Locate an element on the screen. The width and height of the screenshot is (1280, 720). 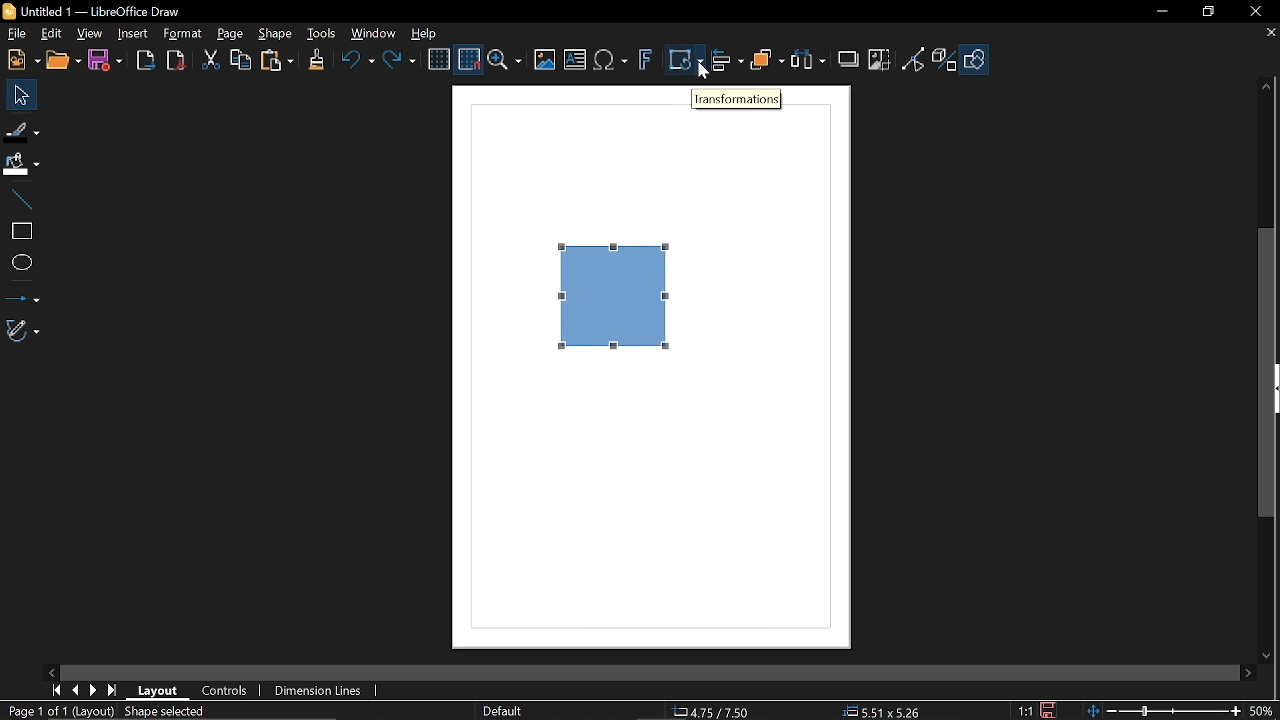
Ellipse is located at coordinates (20, 262).